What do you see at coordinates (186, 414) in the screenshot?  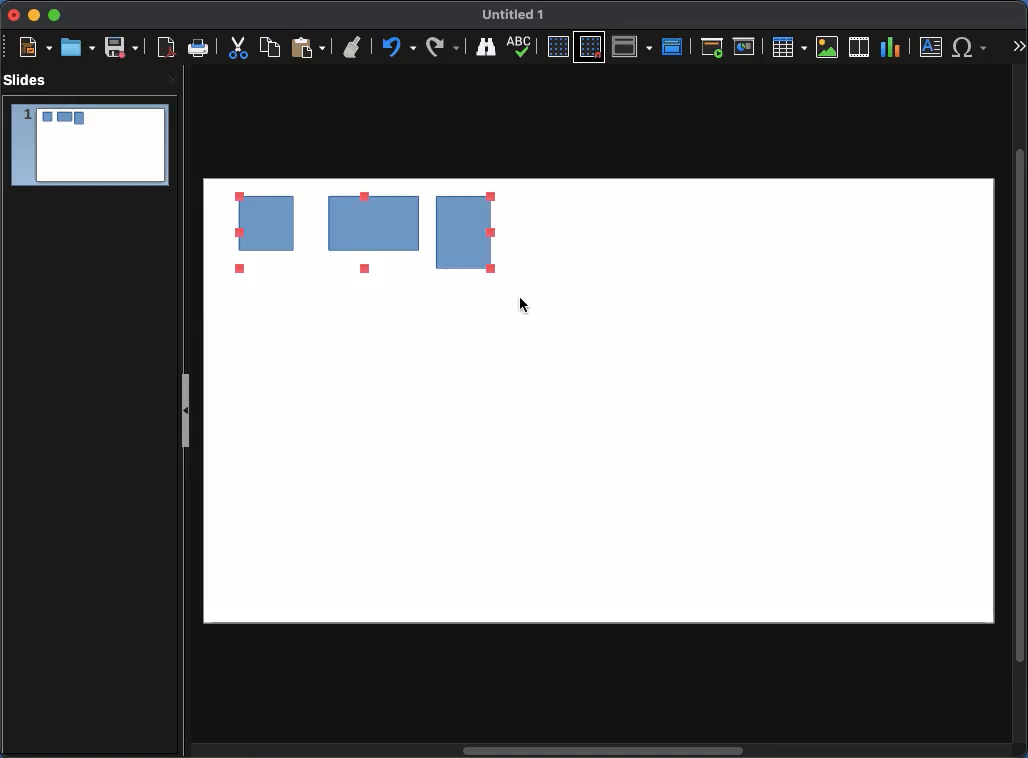 I see `Slide panel` at bounding box center [186, 414].